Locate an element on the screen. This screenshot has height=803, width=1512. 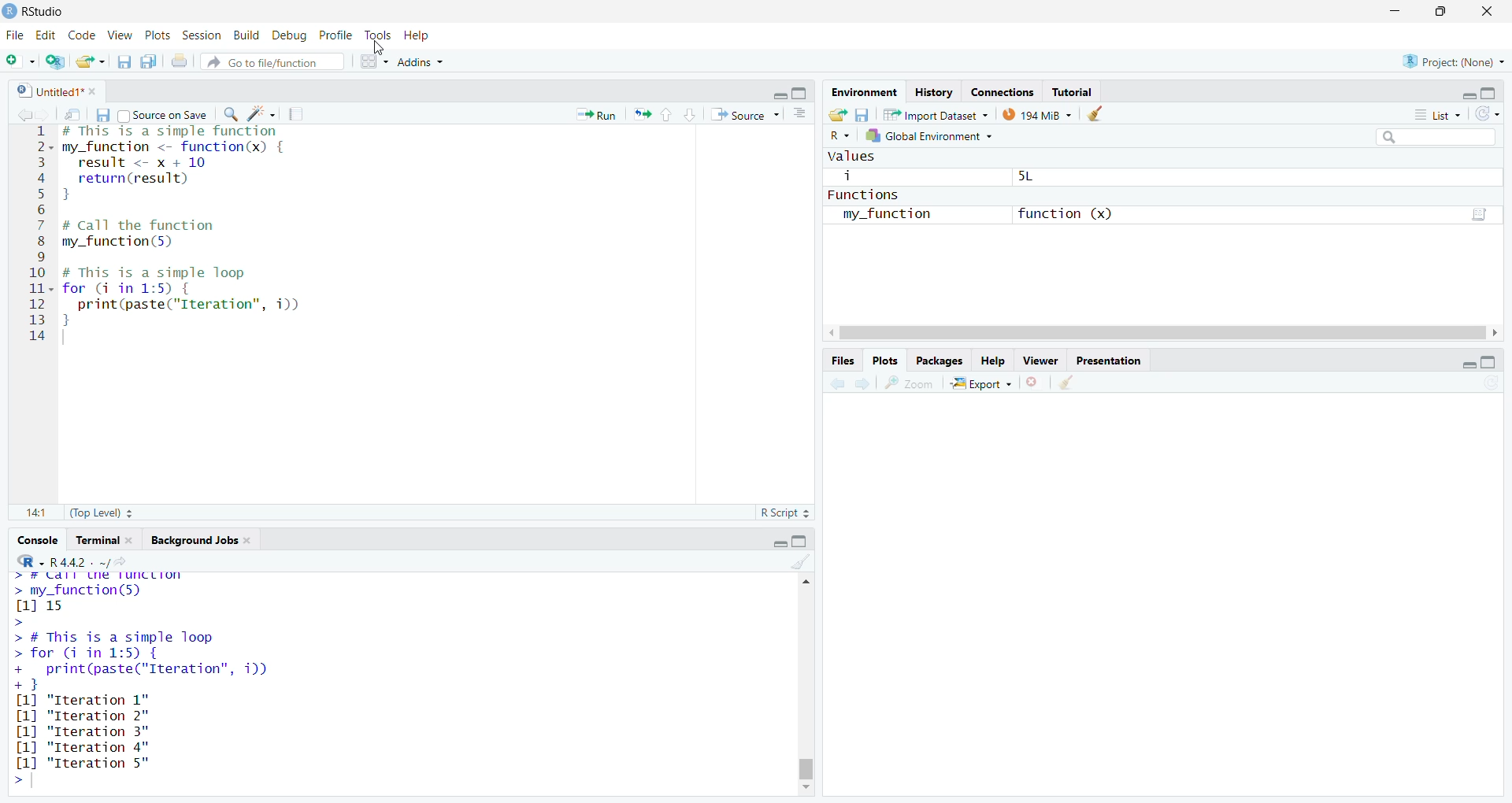
move right is located at coordinates (1501, 333).